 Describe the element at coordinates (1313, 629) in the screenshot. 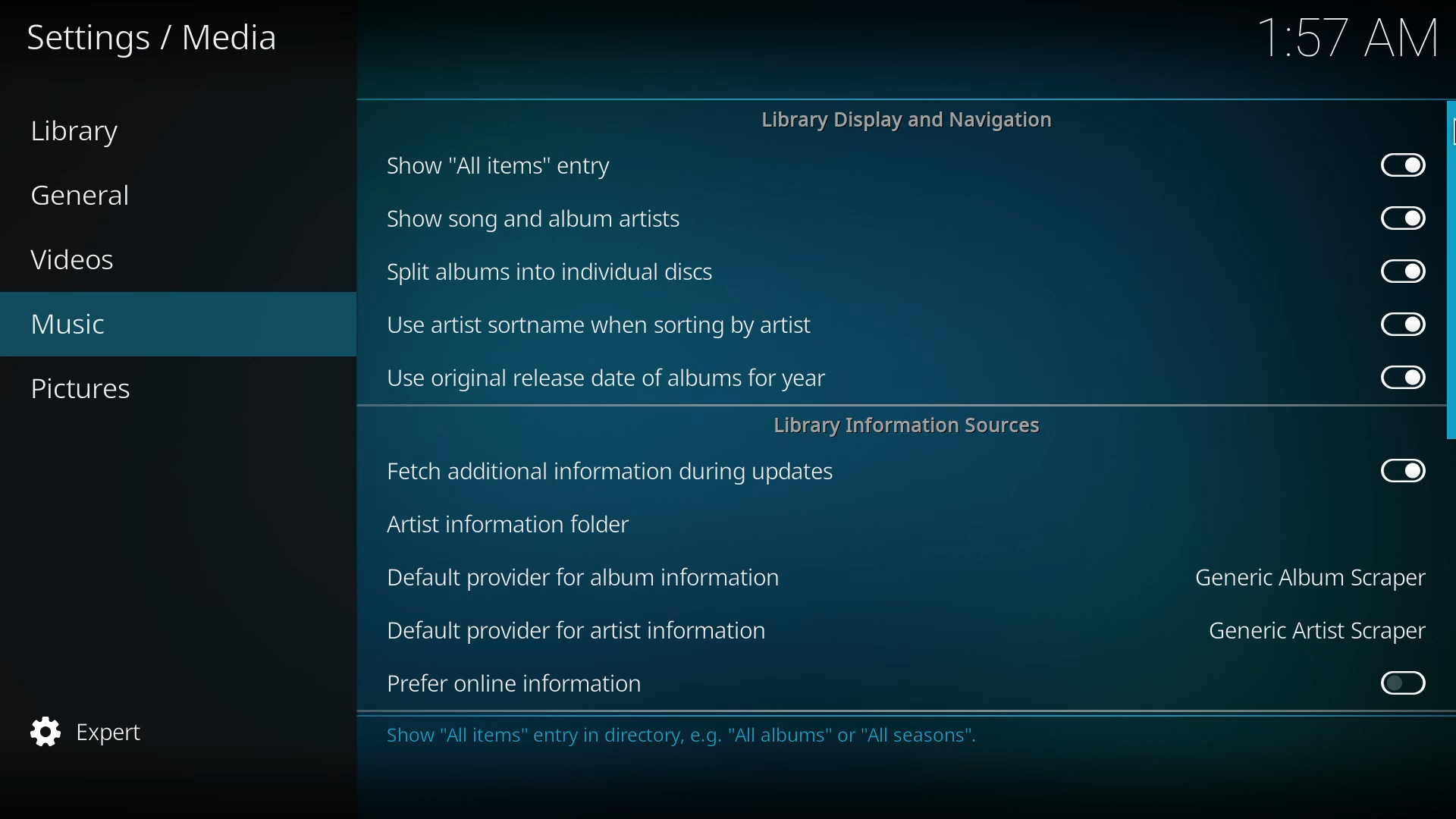

I see `generic` at that location.